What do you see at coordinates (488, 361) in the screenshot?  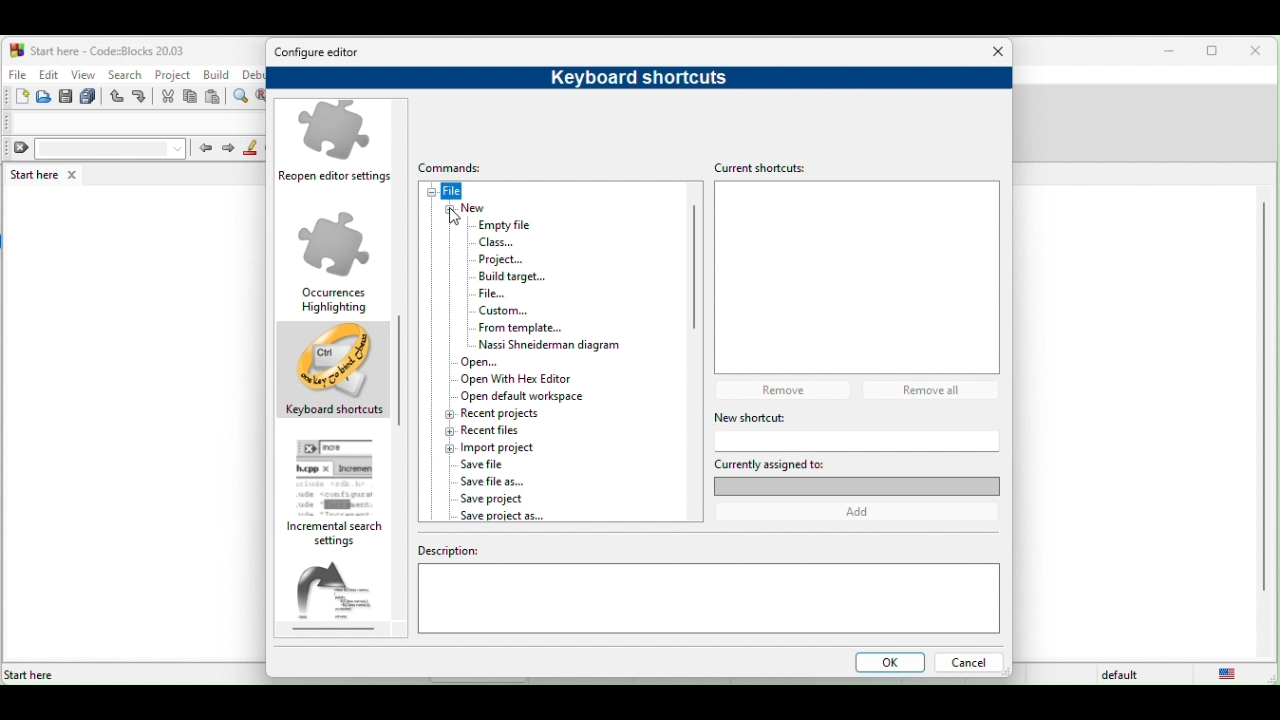 I see `open` at bounding box center [488, 361].